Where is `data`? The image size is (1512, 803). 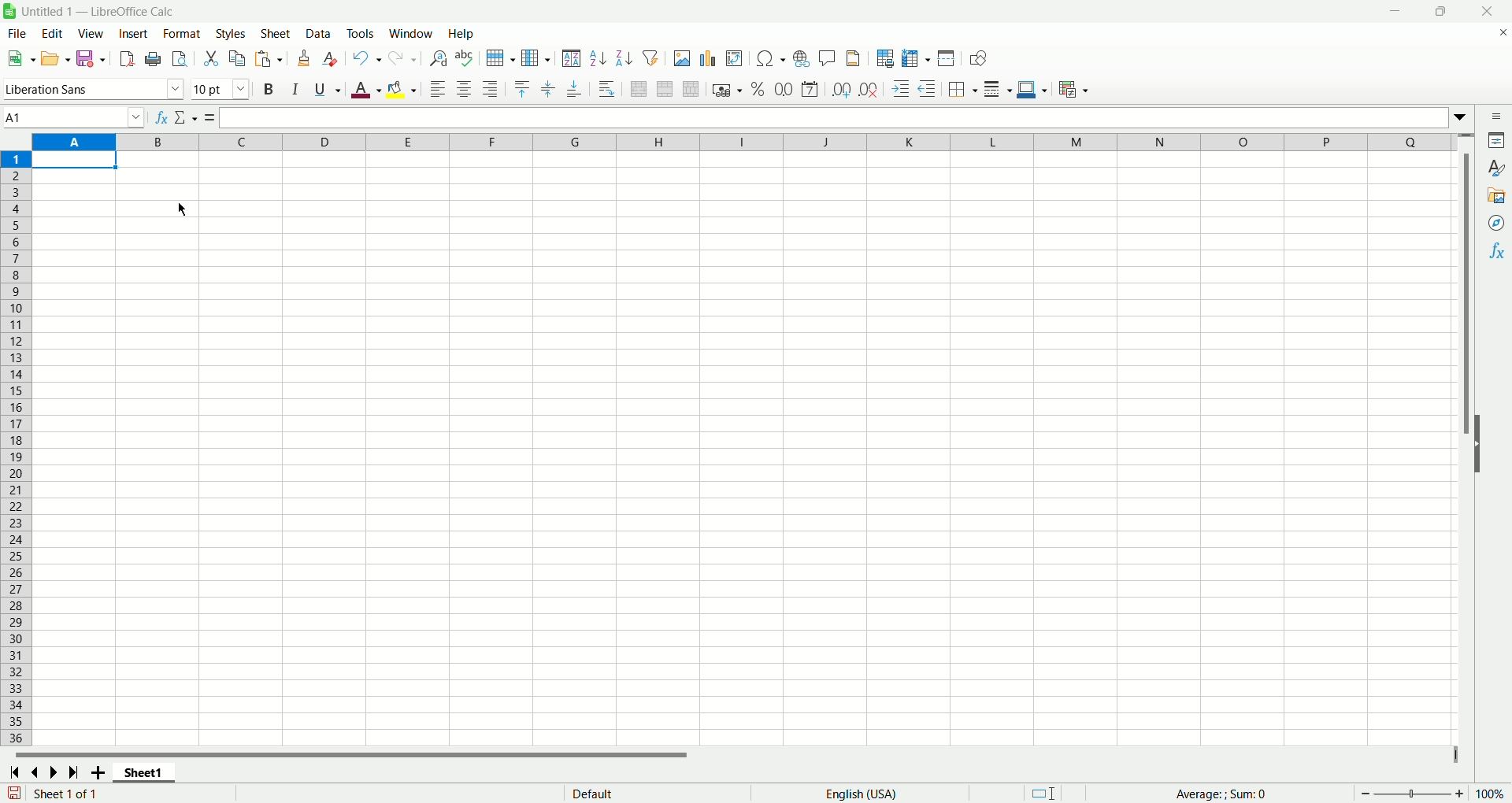 data is located at coordinates (321, 34).